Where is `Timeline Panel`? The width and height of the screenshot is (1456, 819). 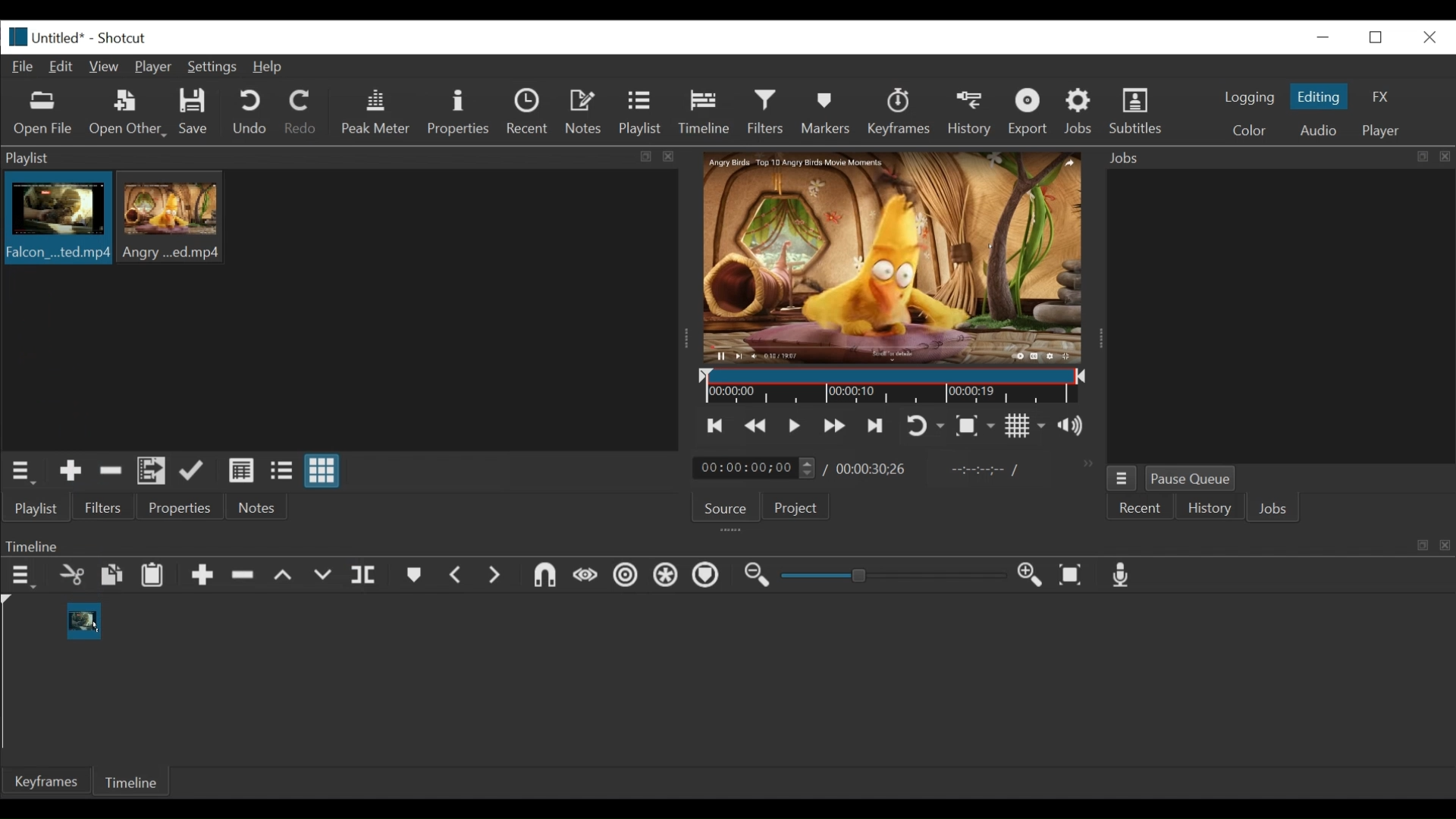 Timeline Panel is located at coordinates (726, 545).